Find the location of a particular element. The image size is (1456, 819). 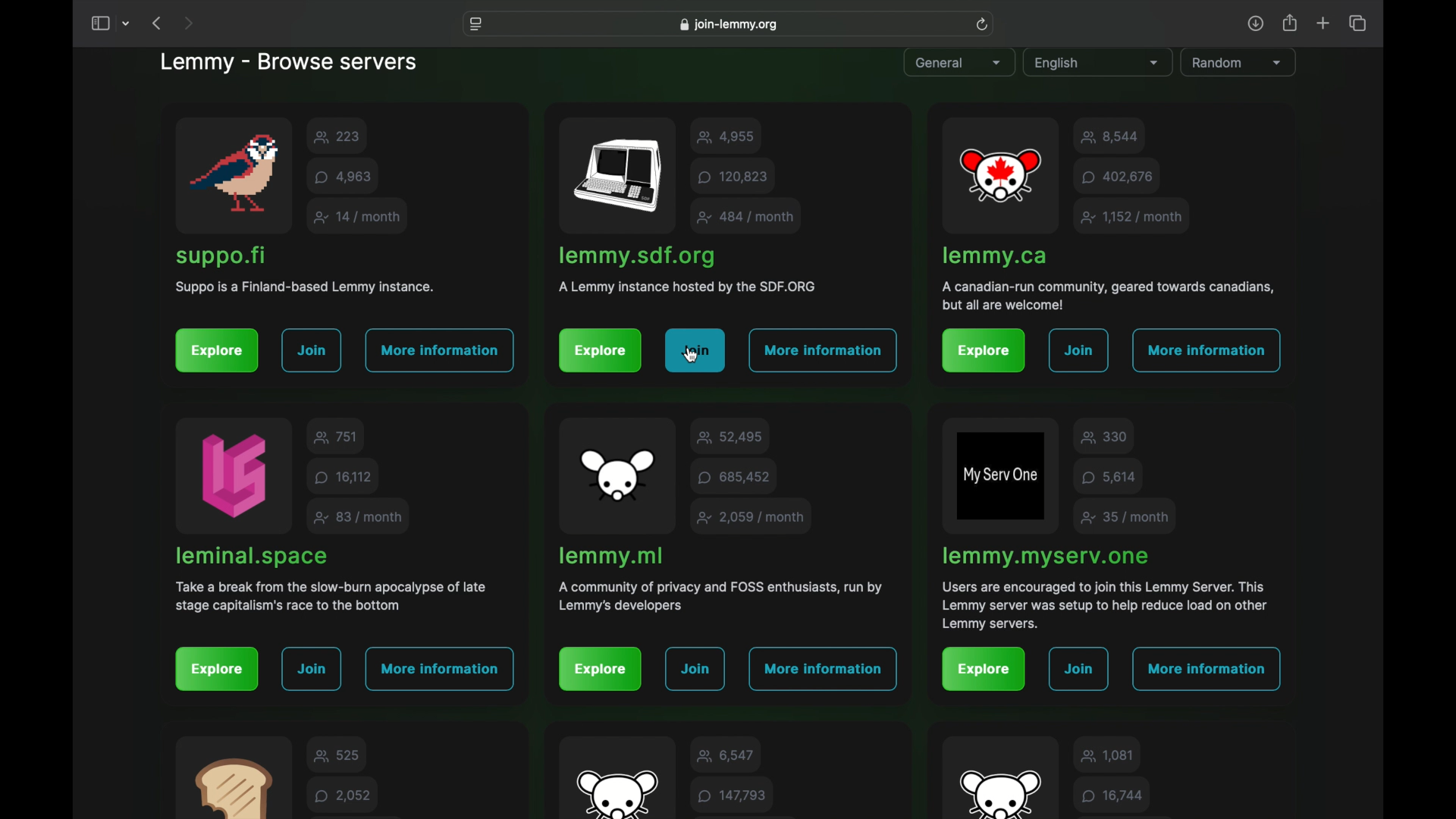

comments is located at coordinates (342, 795).